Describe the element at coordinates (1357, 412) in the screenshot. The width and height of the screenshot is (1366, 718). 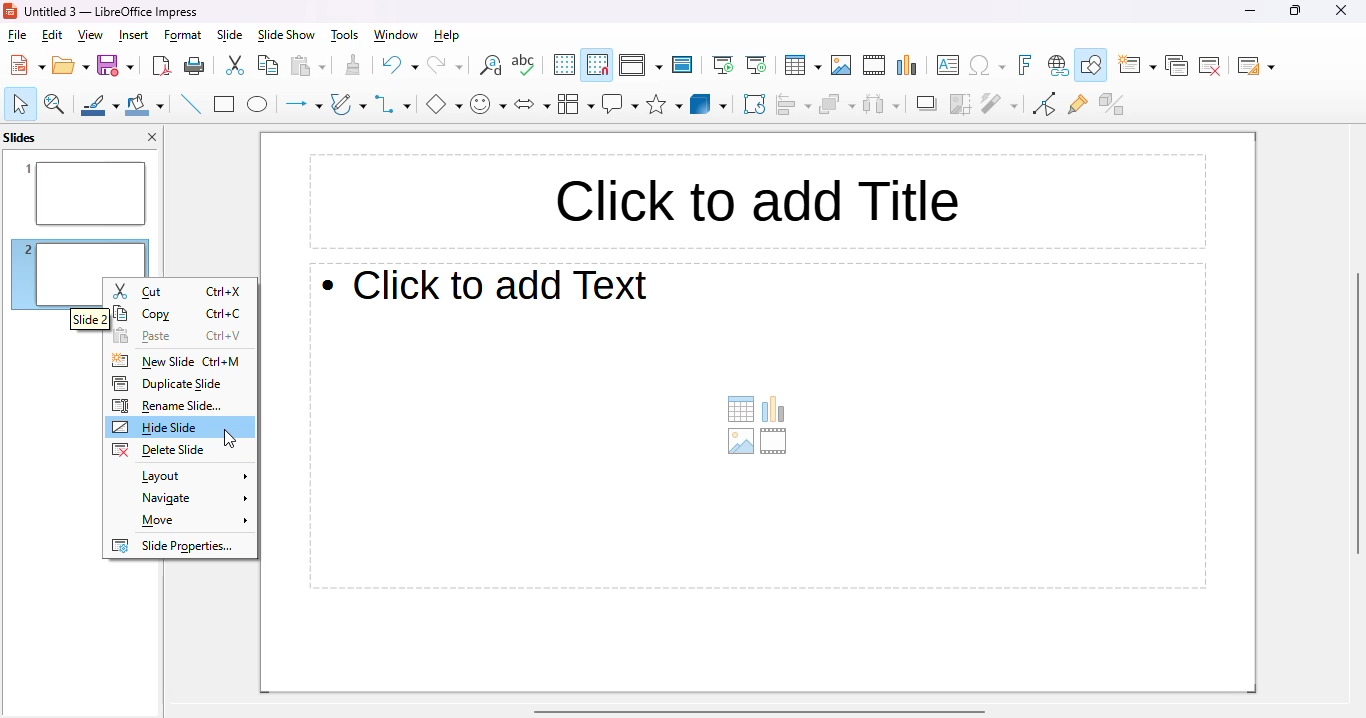
I see `vertical scroll bar` at that location.